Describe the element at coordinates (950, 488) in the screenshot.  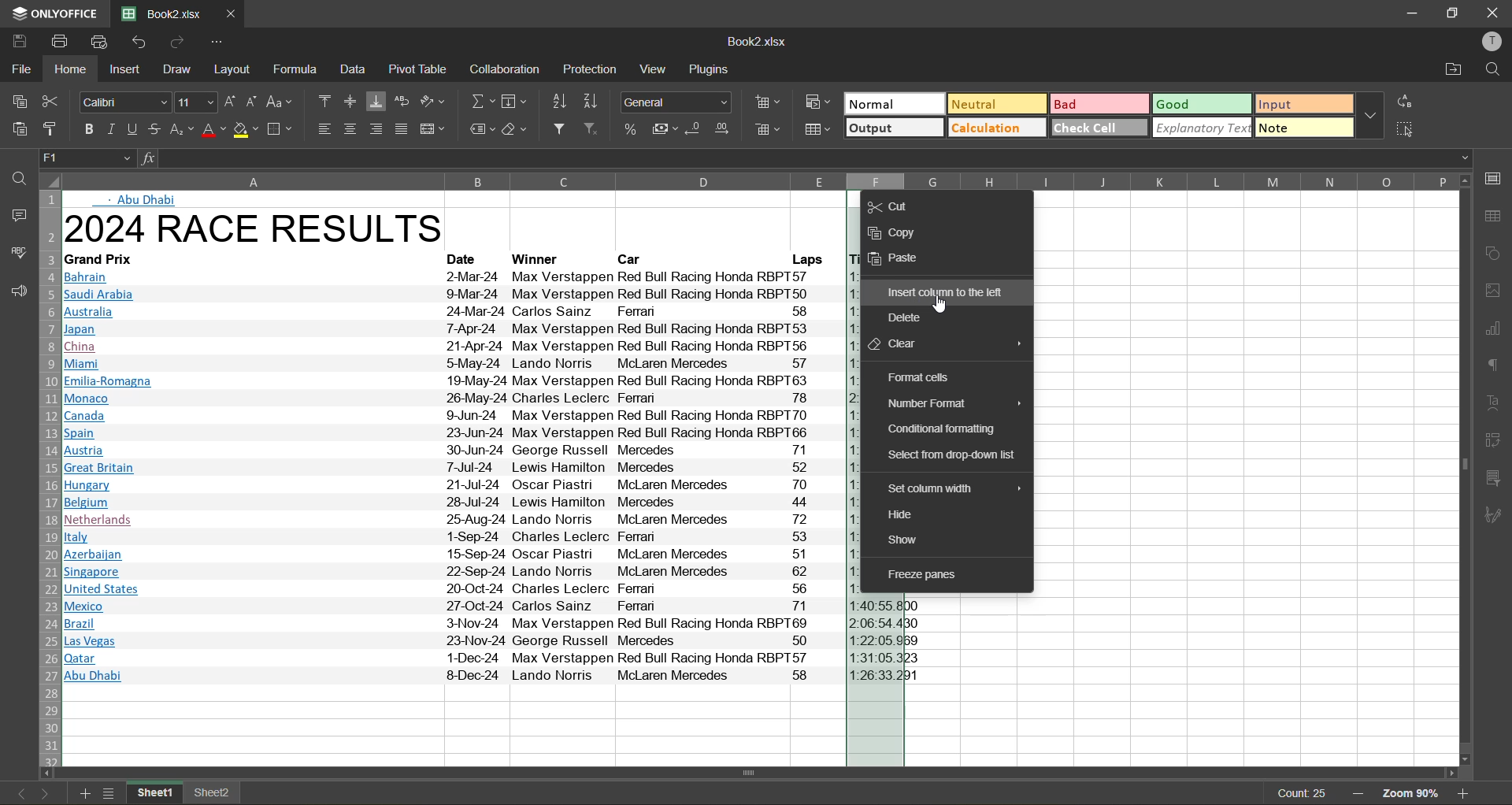
I see `set column width` at that location.